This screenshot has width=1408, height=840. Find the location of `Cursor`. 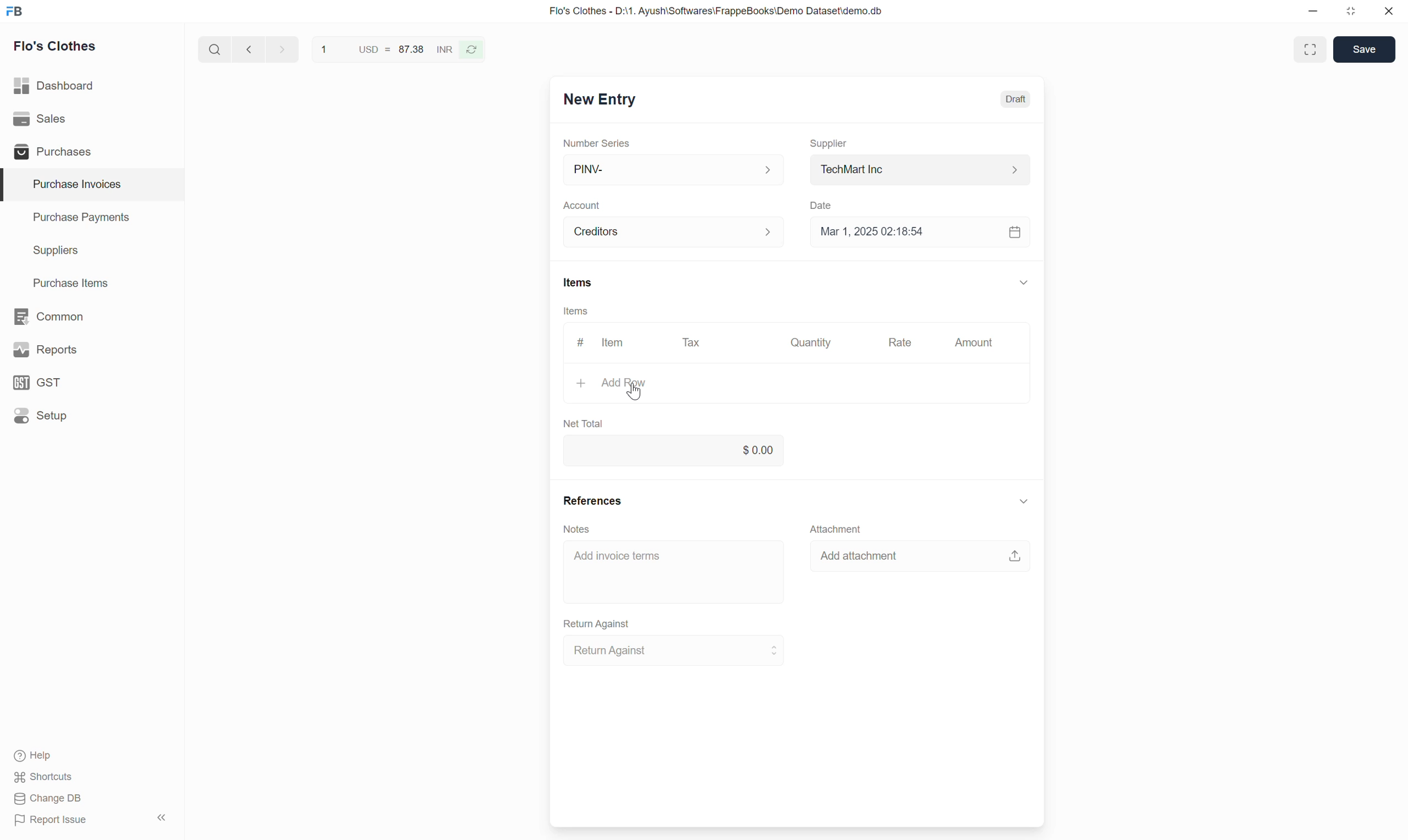

Cursor is located at coordinates (633, 389).